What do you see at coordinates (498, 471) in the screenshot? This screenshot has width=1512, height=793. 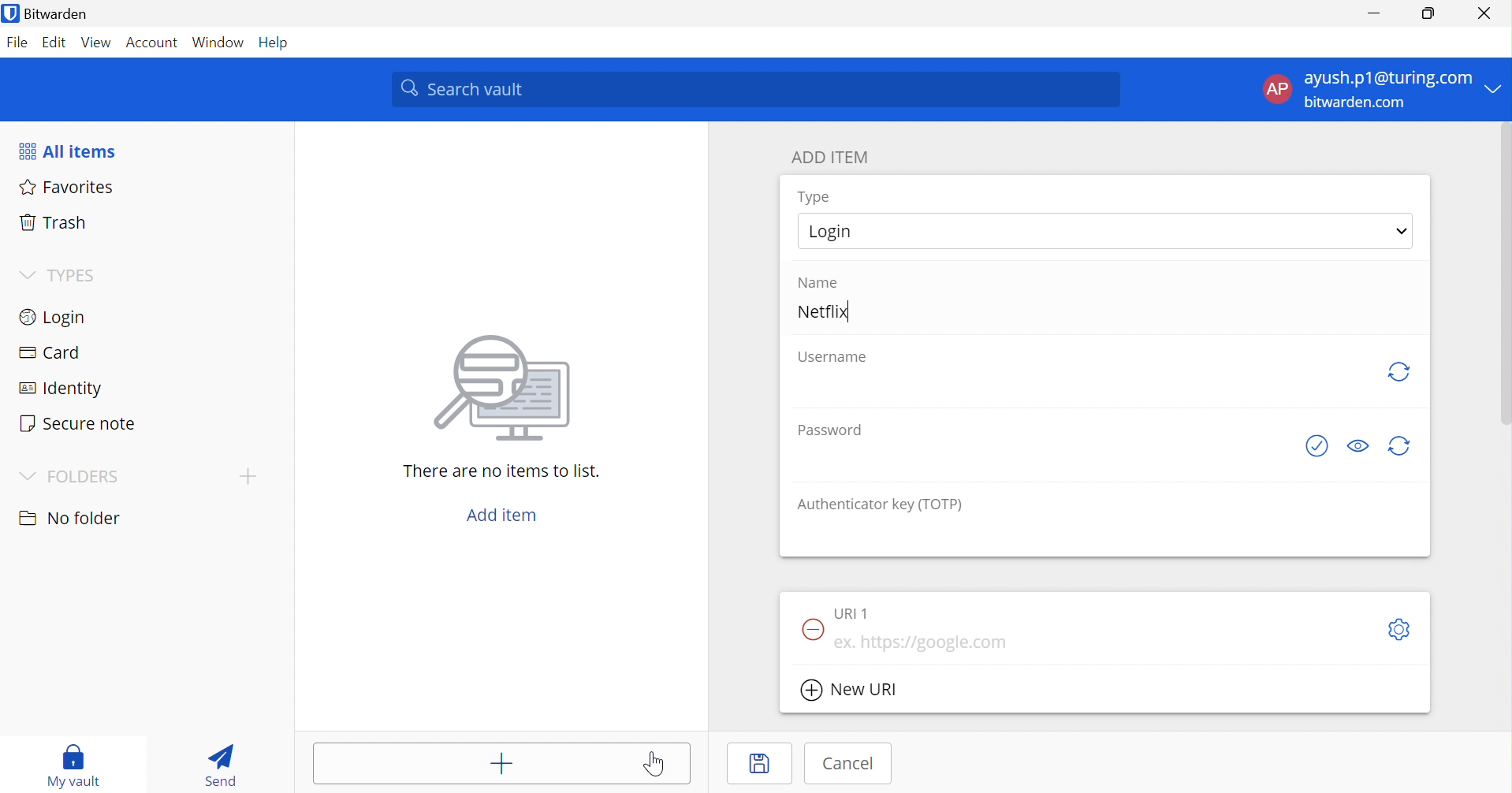 I see `There are no items to list.` at bounding box center [498, 471].